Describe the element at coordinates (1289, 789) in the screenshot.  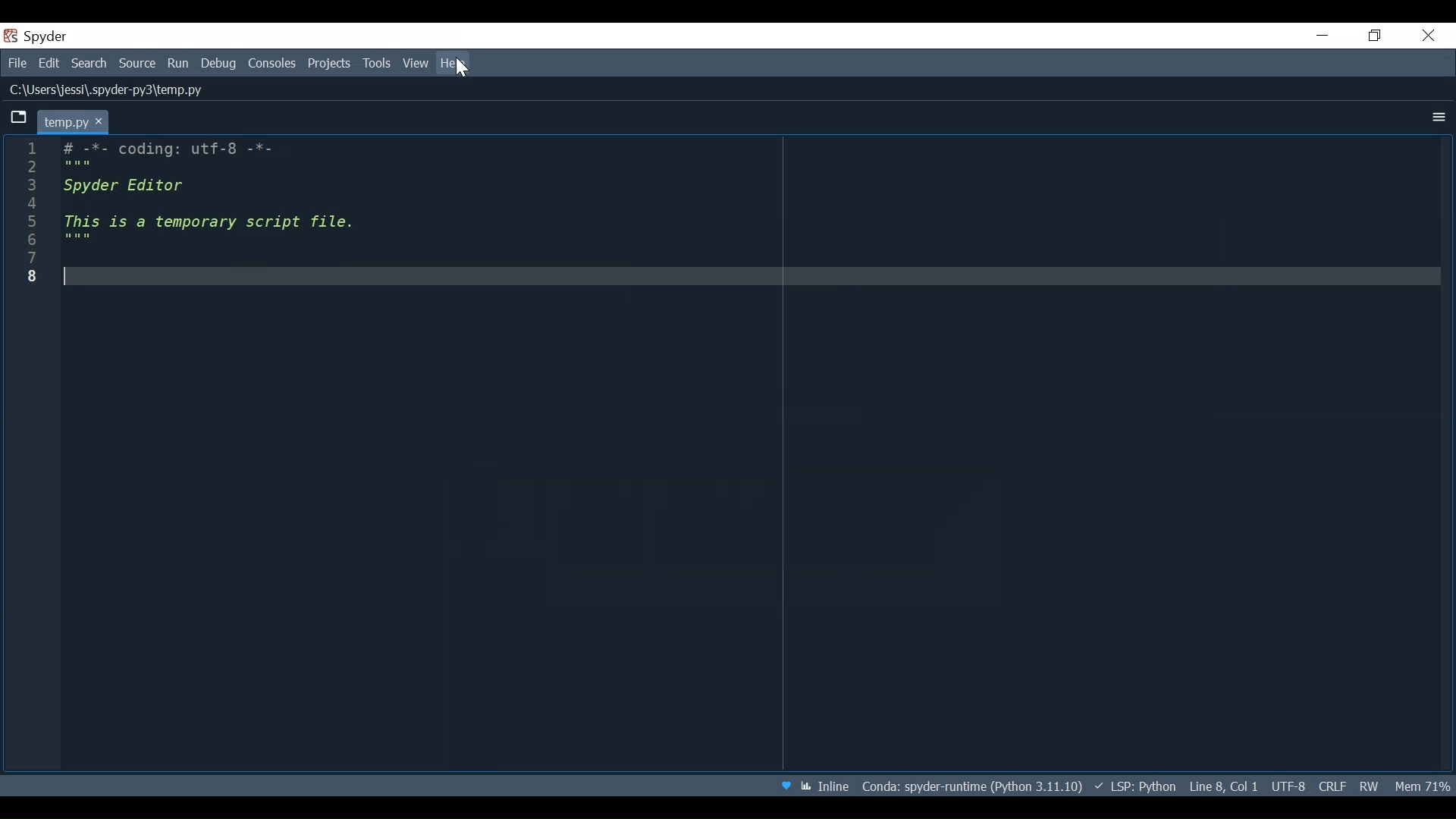
I see `File Encoding` at that location.